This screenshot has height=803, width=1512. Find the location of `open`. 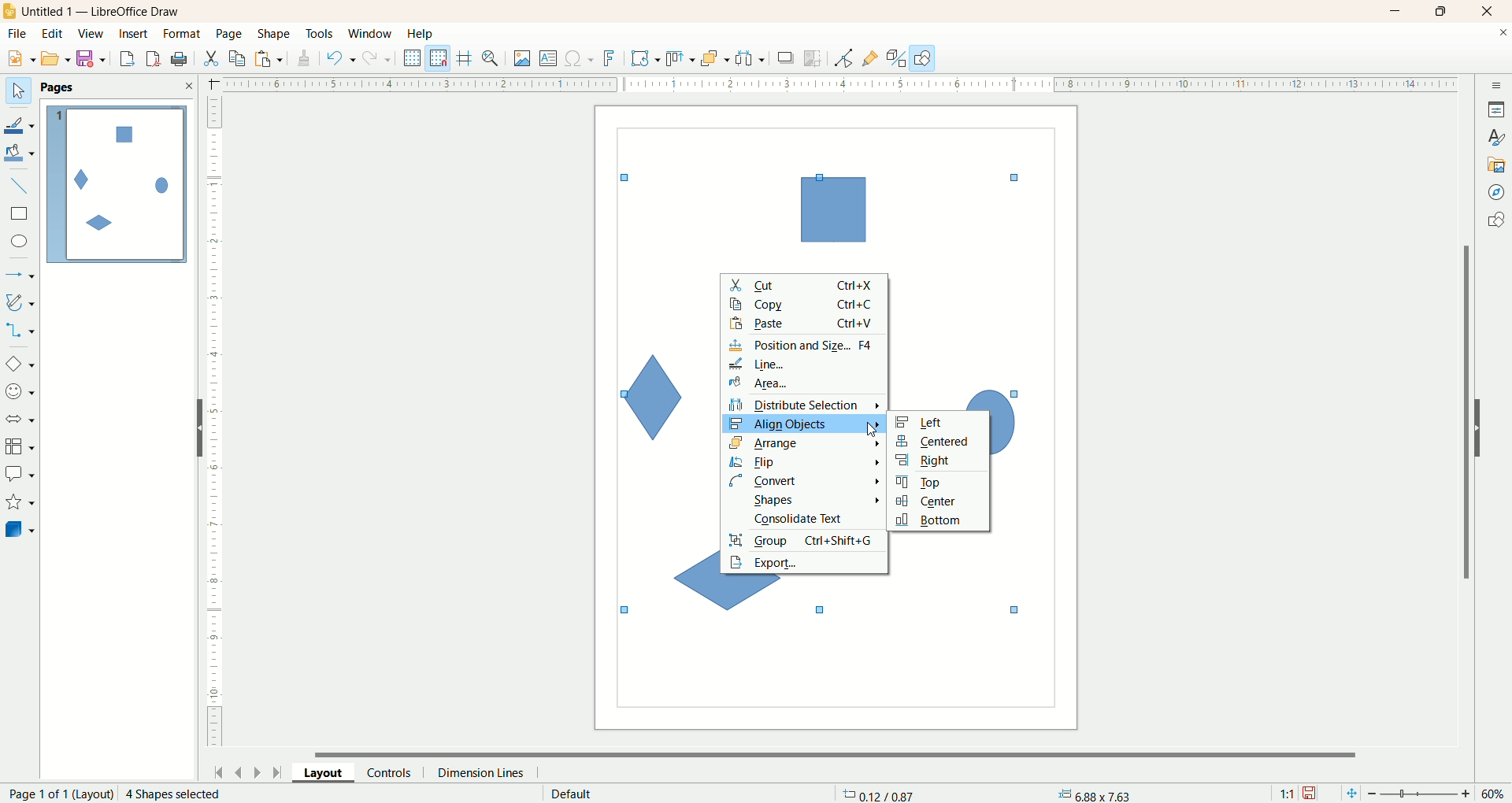

open is located at coordinates (56, 58).